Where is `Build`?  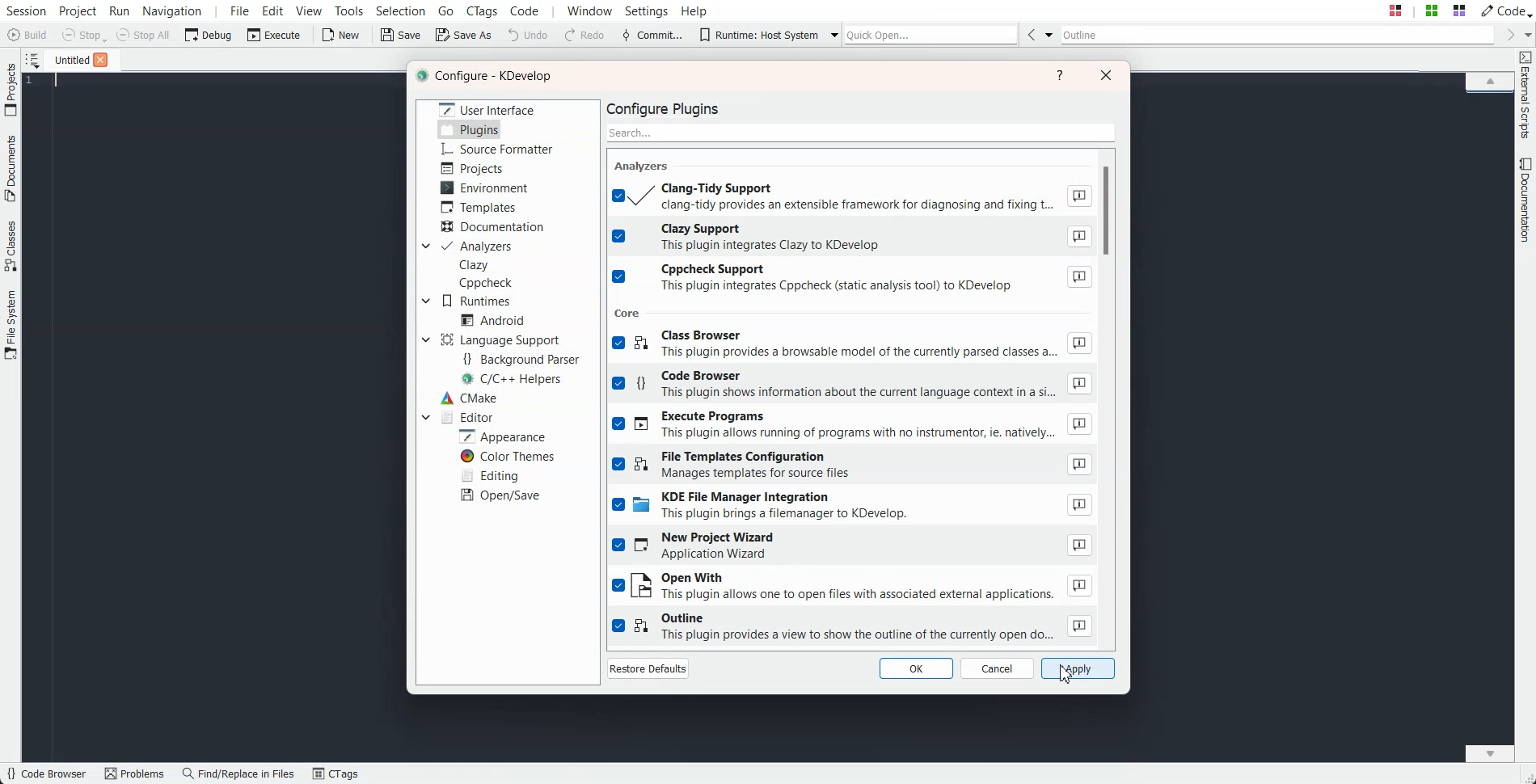
Build is located at coordinates (29, 36).